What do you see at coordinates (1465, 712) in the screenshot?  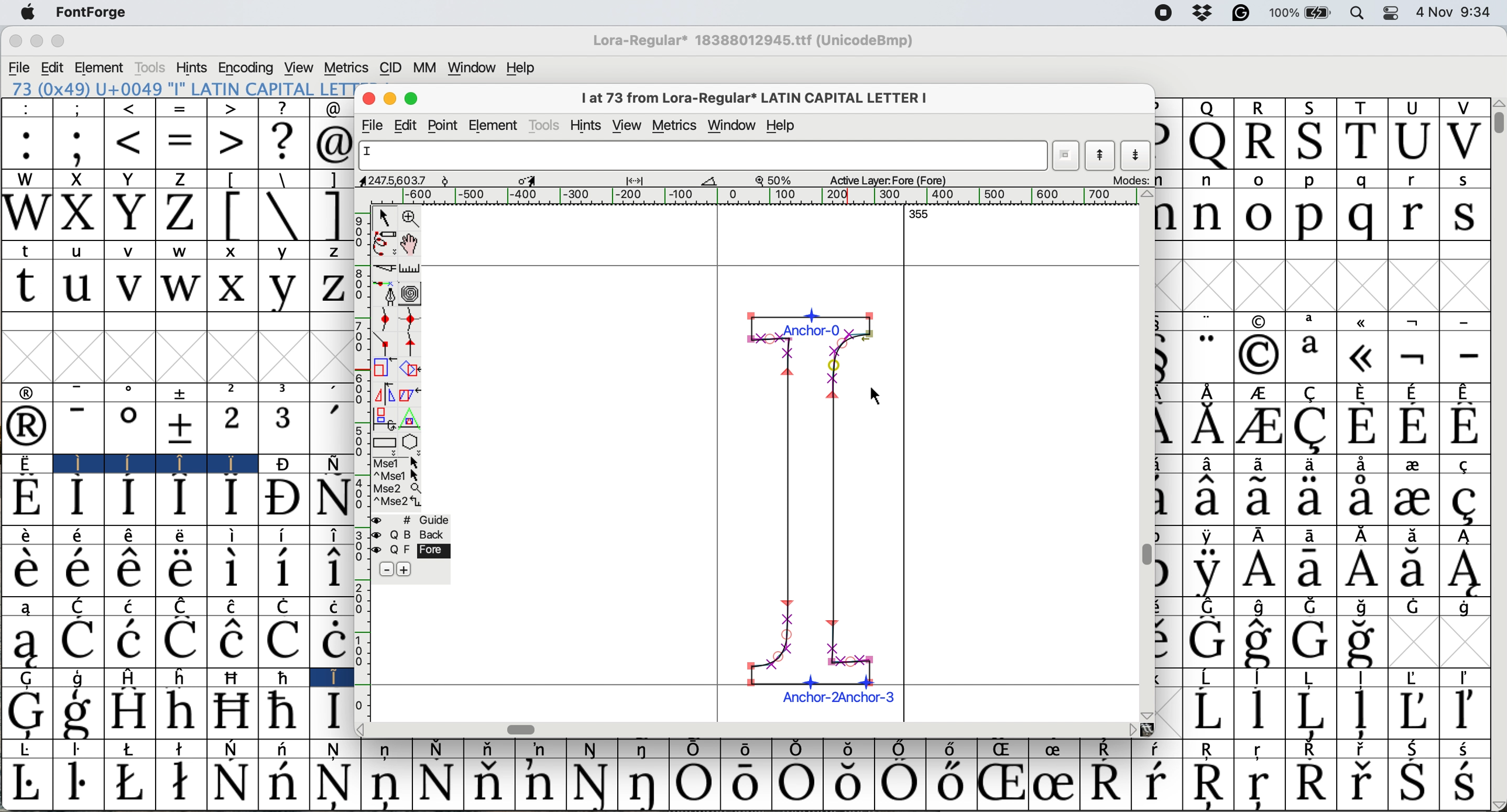 I see `Symbol` at bounding box center [1465, 712].